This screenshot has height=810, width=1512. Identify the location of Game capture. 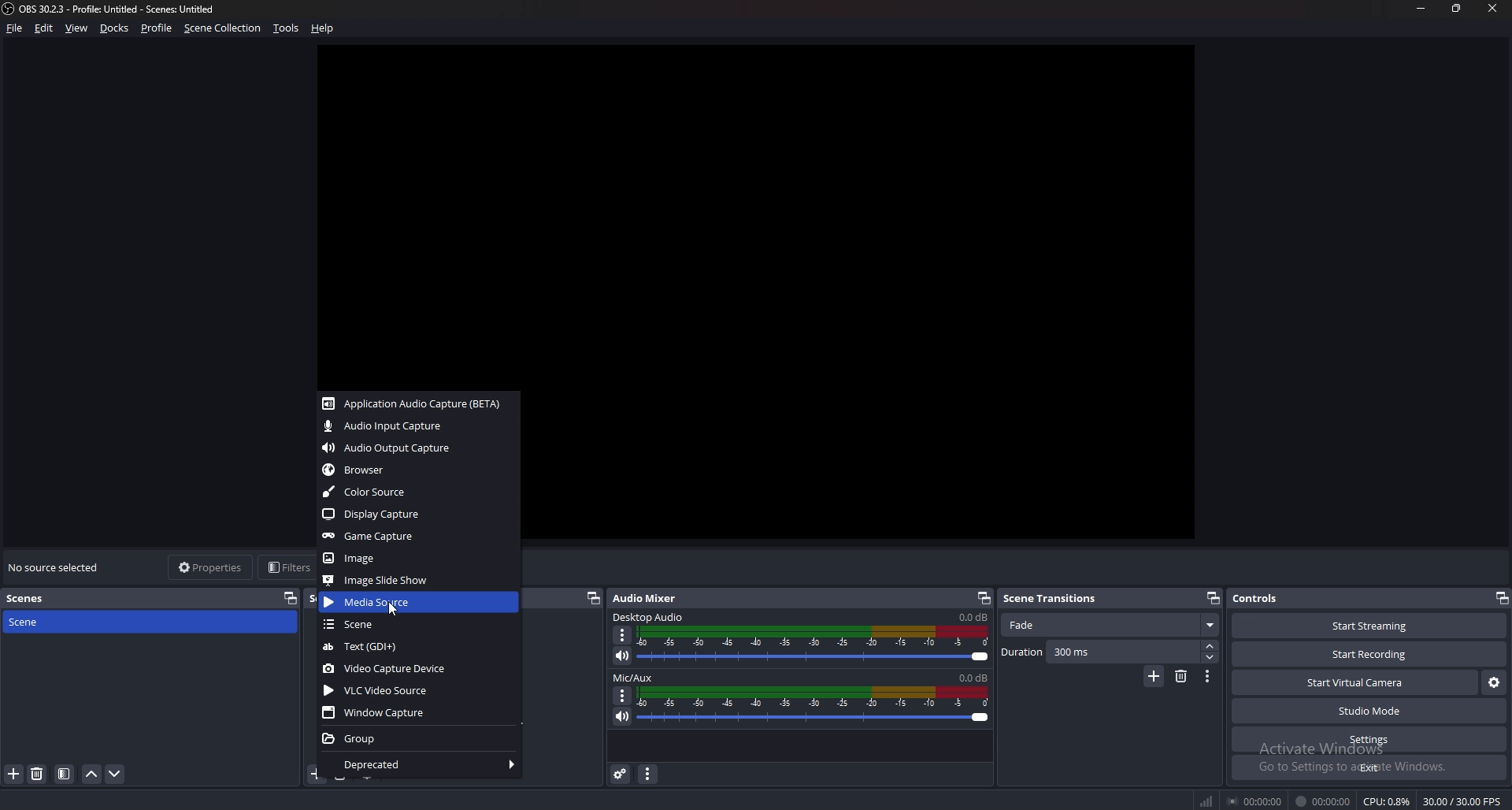
(417, 535).